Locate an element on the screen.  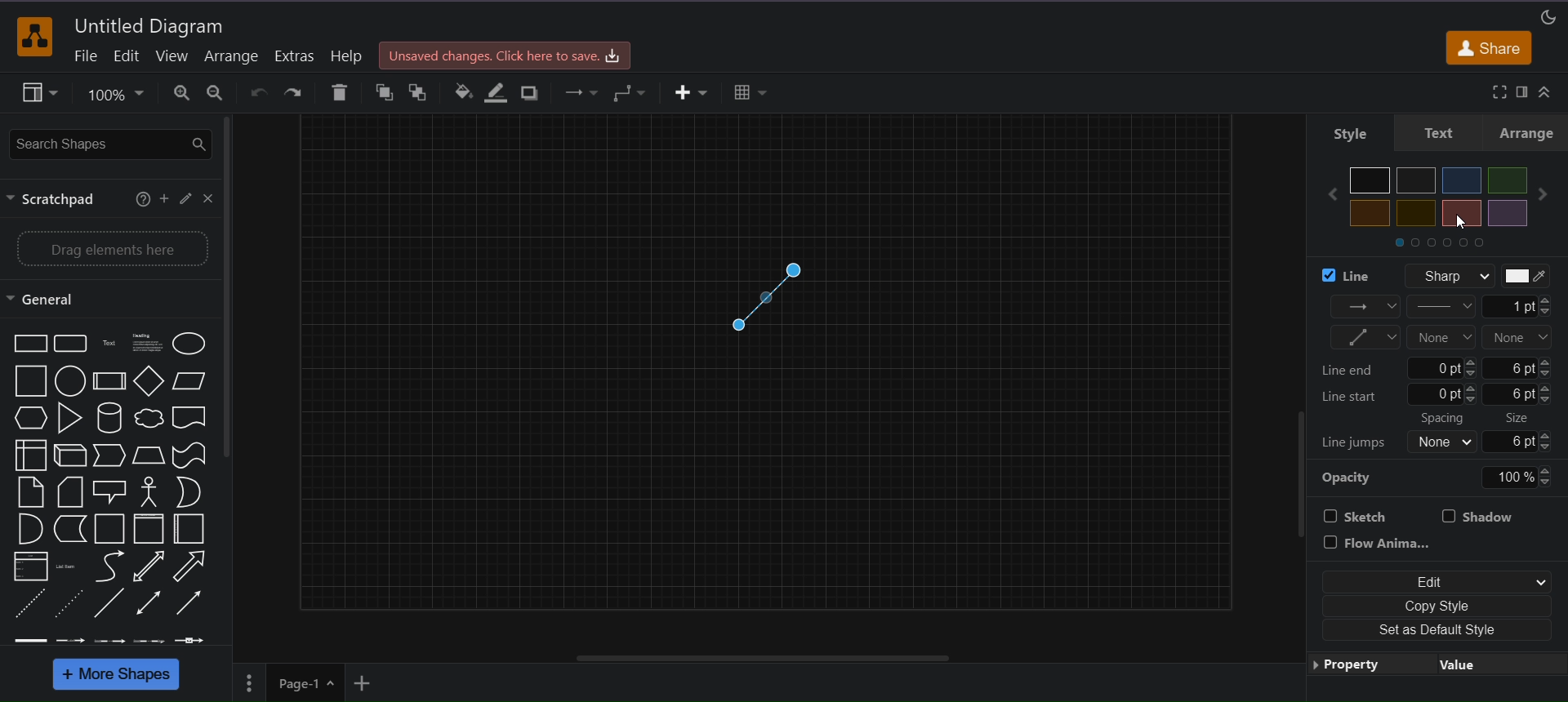
line width is located at coordinates (1520, 306).